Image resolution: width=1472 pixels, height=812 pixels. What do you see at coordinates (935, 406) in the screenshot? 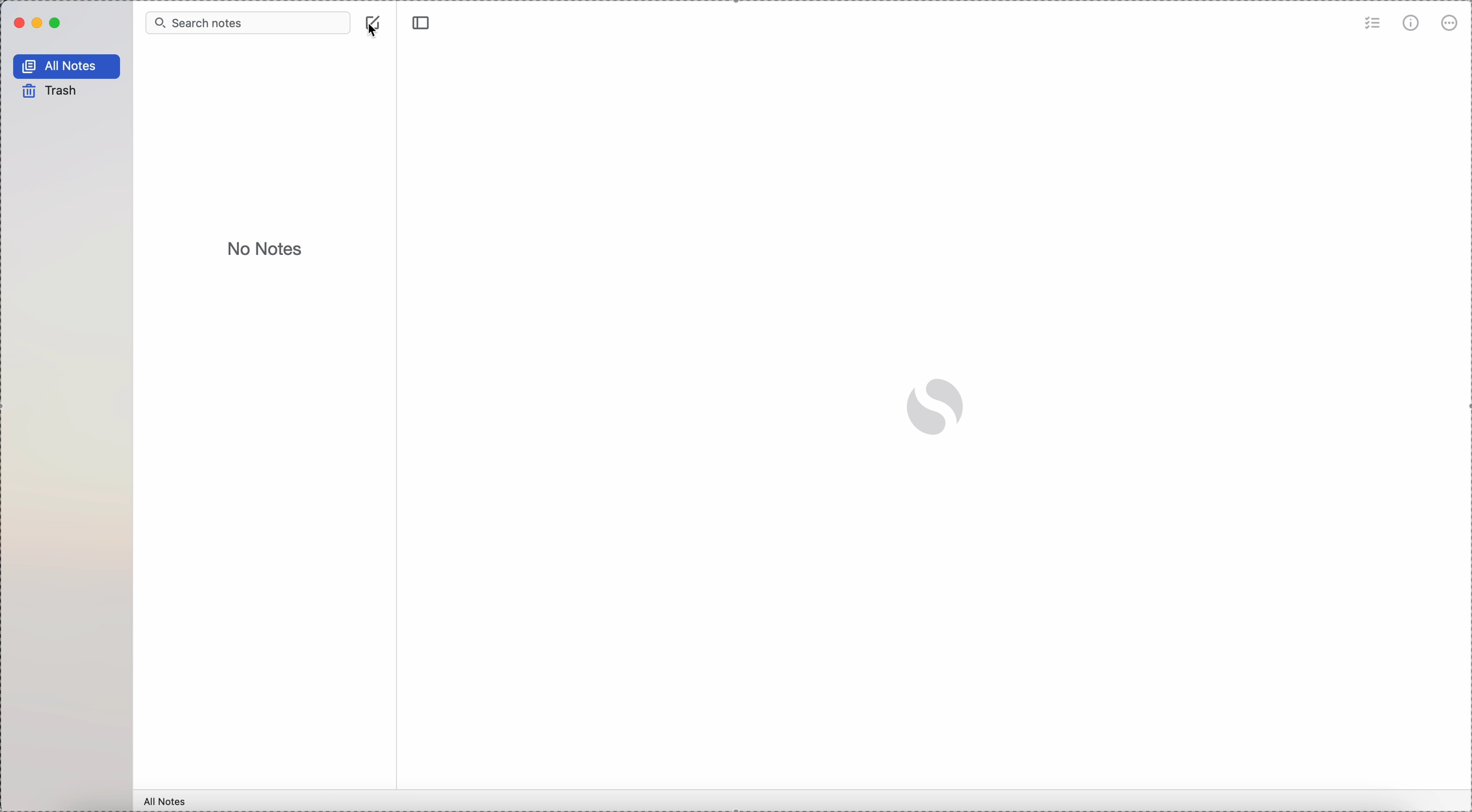
I see `Simplenote logo` at bounding box center [935, 406].